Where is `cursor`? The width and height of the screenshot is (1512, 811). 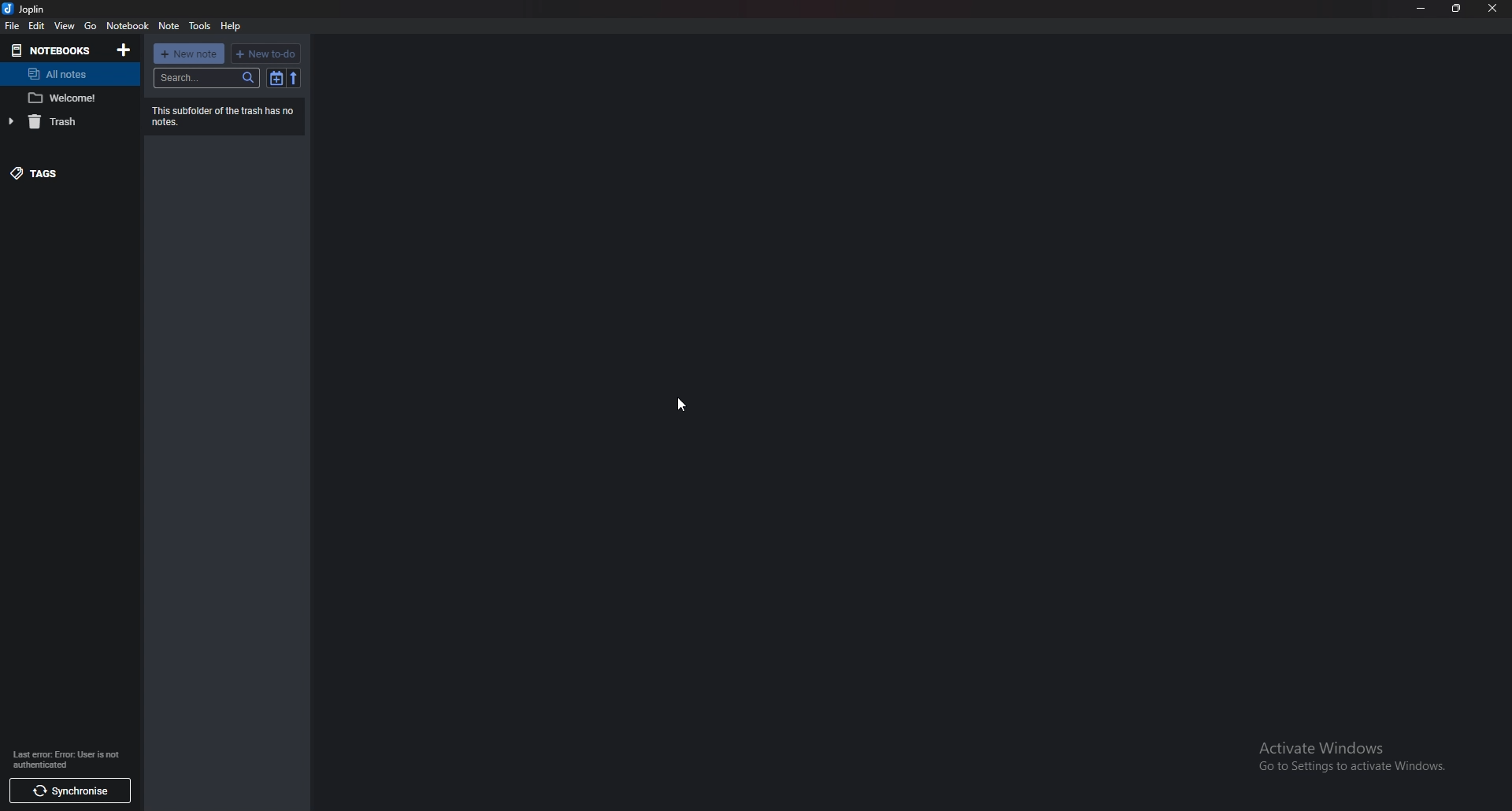
cursor is located at coordinates (679, 402).